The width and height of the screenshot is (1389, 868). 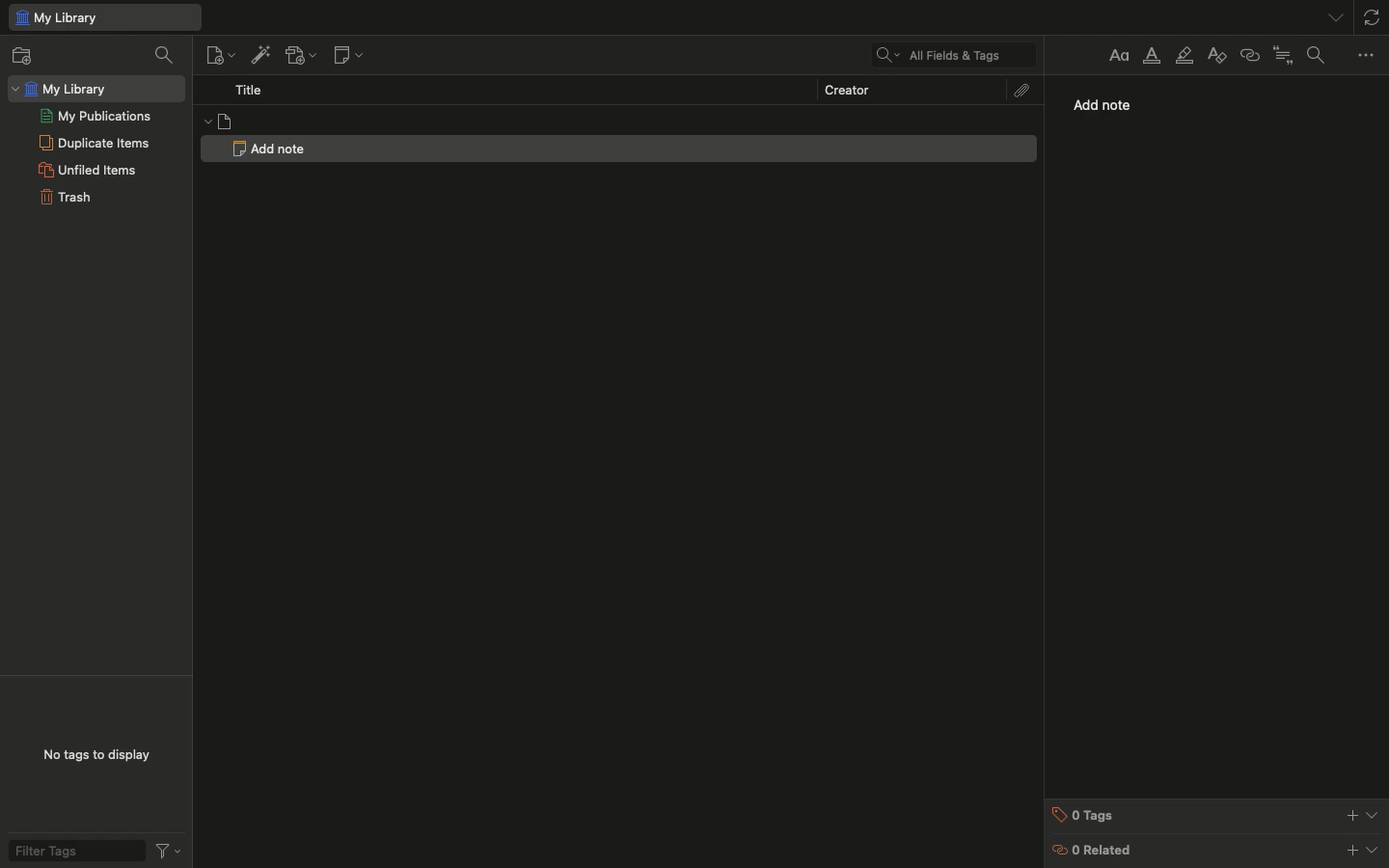 I want to click on More, so click(x=1368, y=56).